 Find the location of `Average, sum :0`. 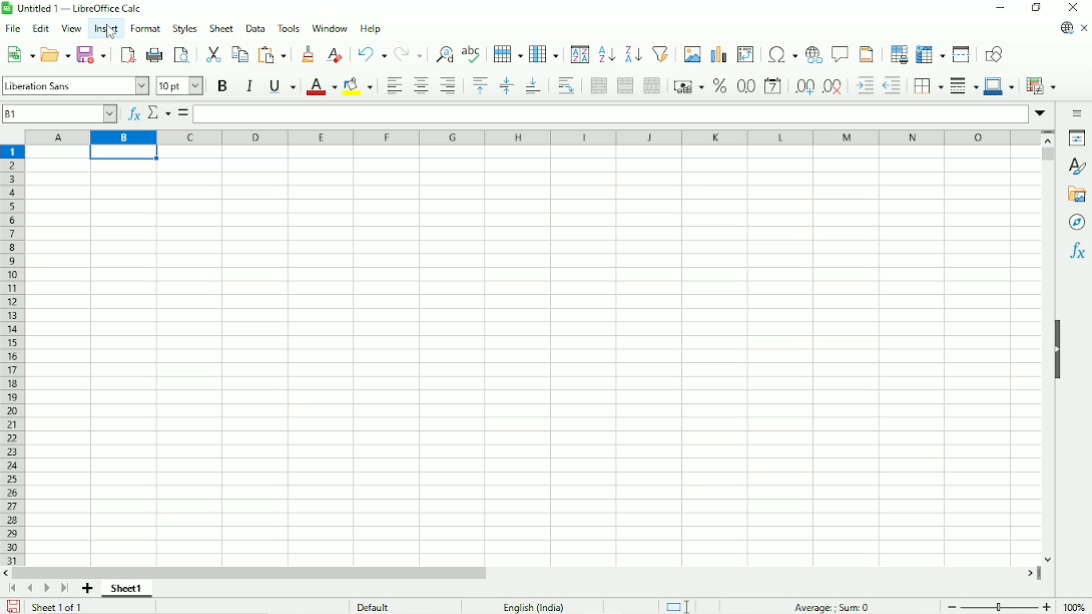

Average, sum :0 is located at coordinates (830, 605).